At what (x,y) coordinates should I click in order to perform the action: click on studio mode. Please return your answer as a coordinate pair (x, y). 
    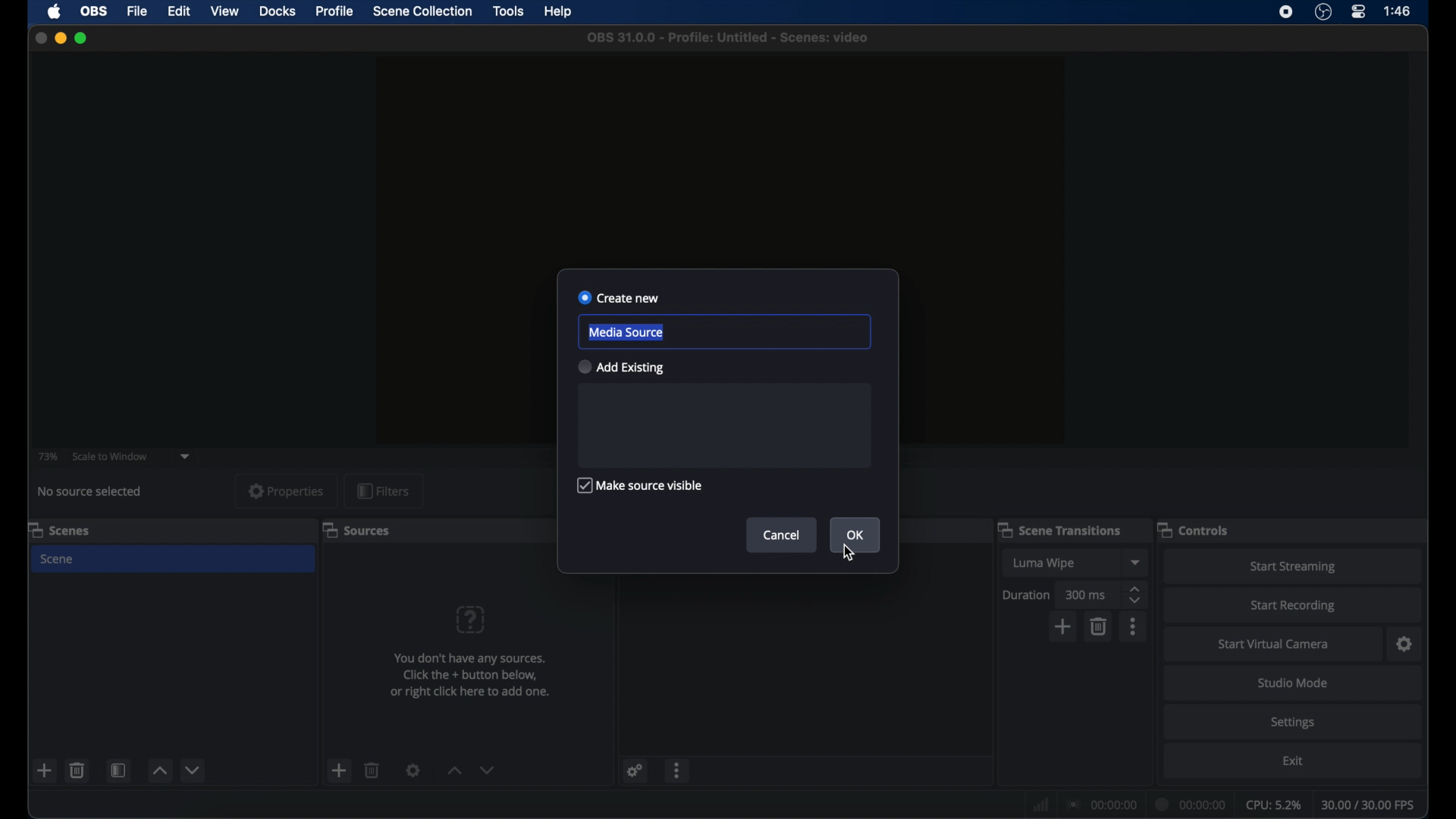
    Looking at the image, I should click on (1294, 682).